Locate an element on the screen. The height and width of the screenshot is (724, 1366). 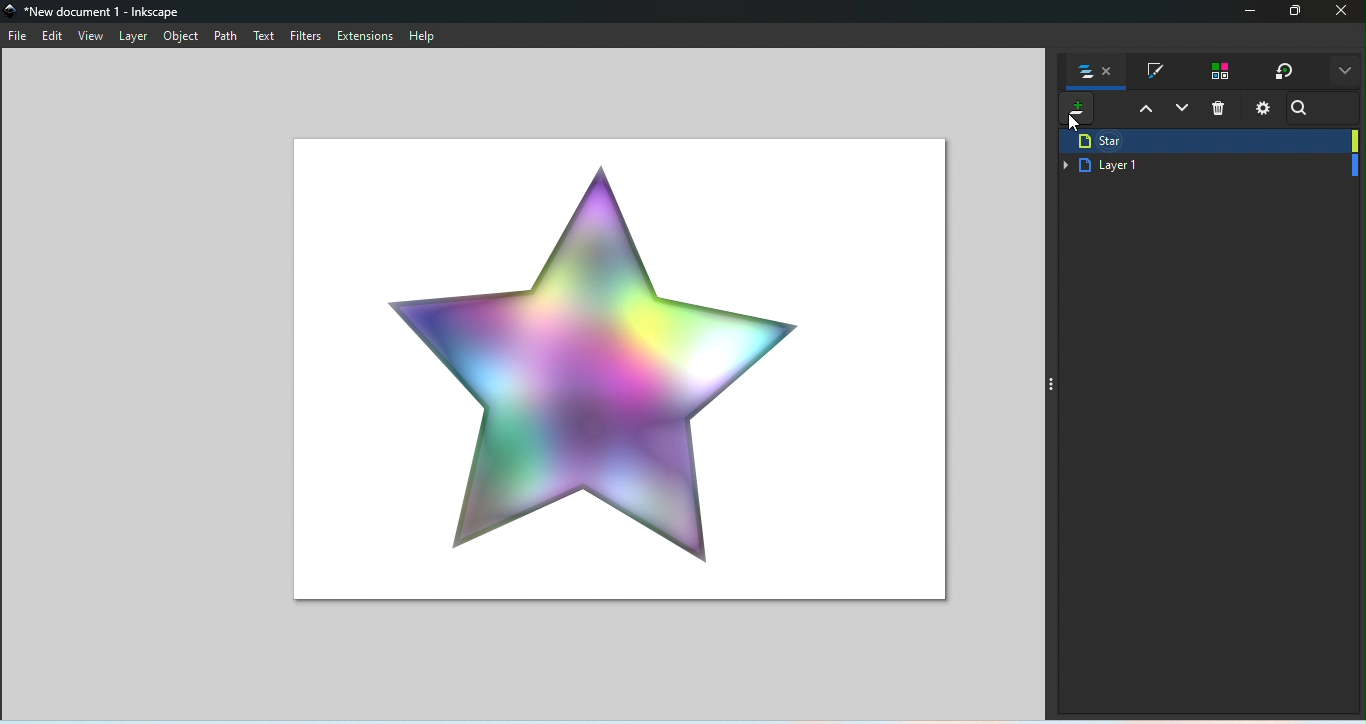
Extensions is located at coordinates (369, 37).